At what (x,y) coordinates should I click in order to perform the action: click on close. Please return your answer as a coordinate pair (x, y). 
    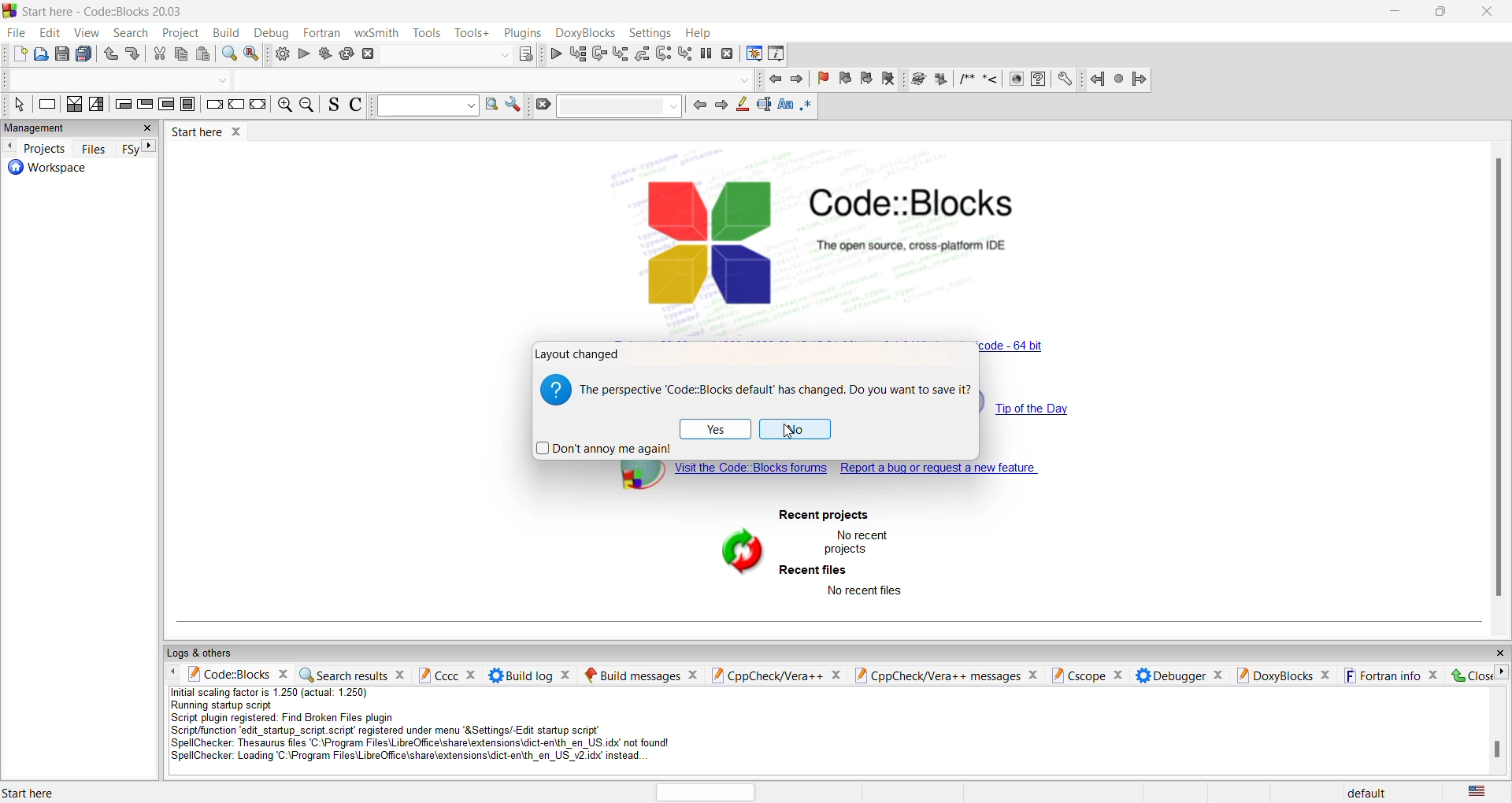
    Looking at the image, I should click on (1499, 653).